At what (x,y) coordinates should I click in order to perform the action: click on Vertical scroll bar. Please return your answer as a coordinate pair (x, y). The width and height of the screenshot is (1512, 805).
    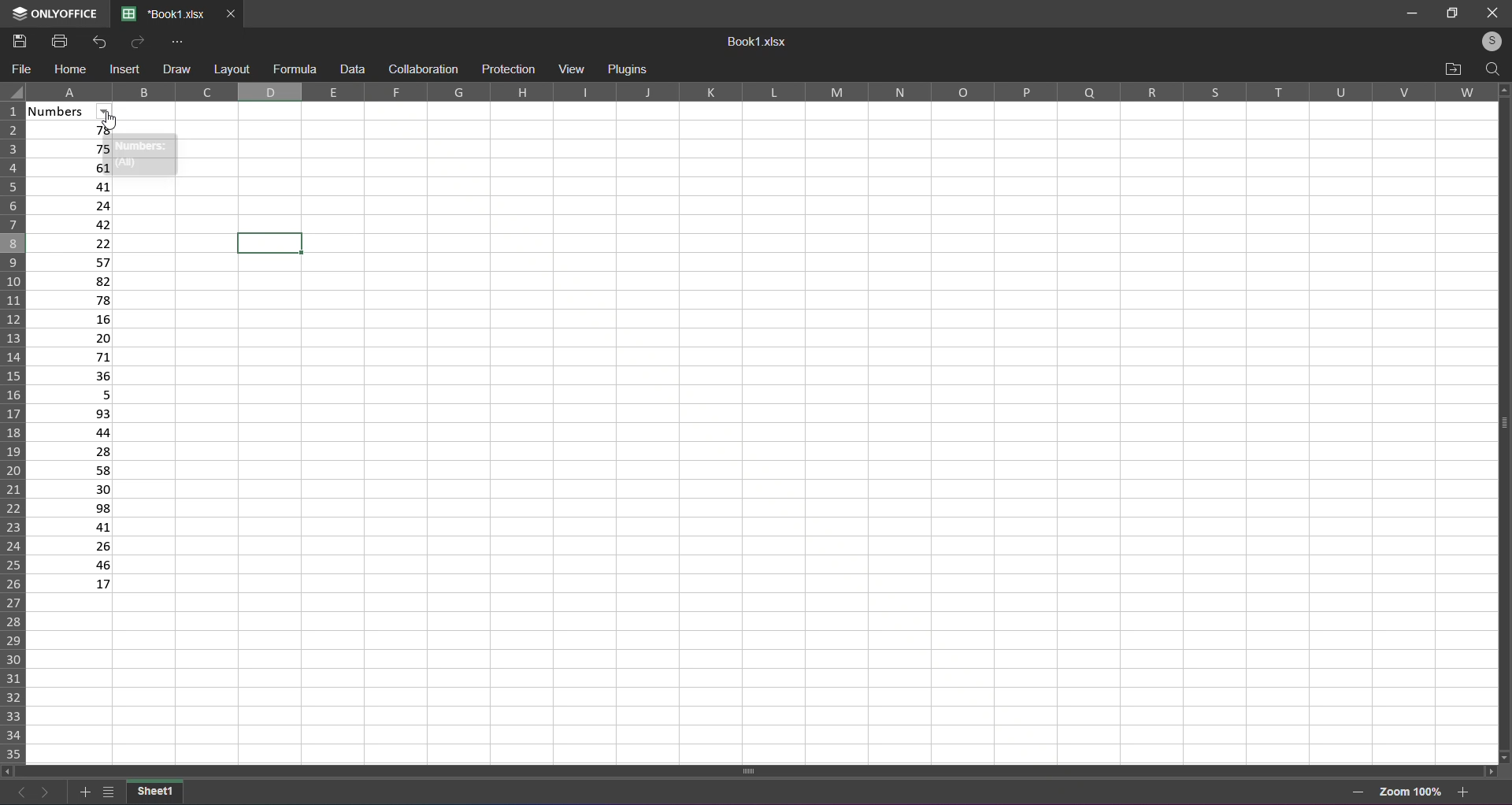
    Looking at the image, I should click on (1498, 421).